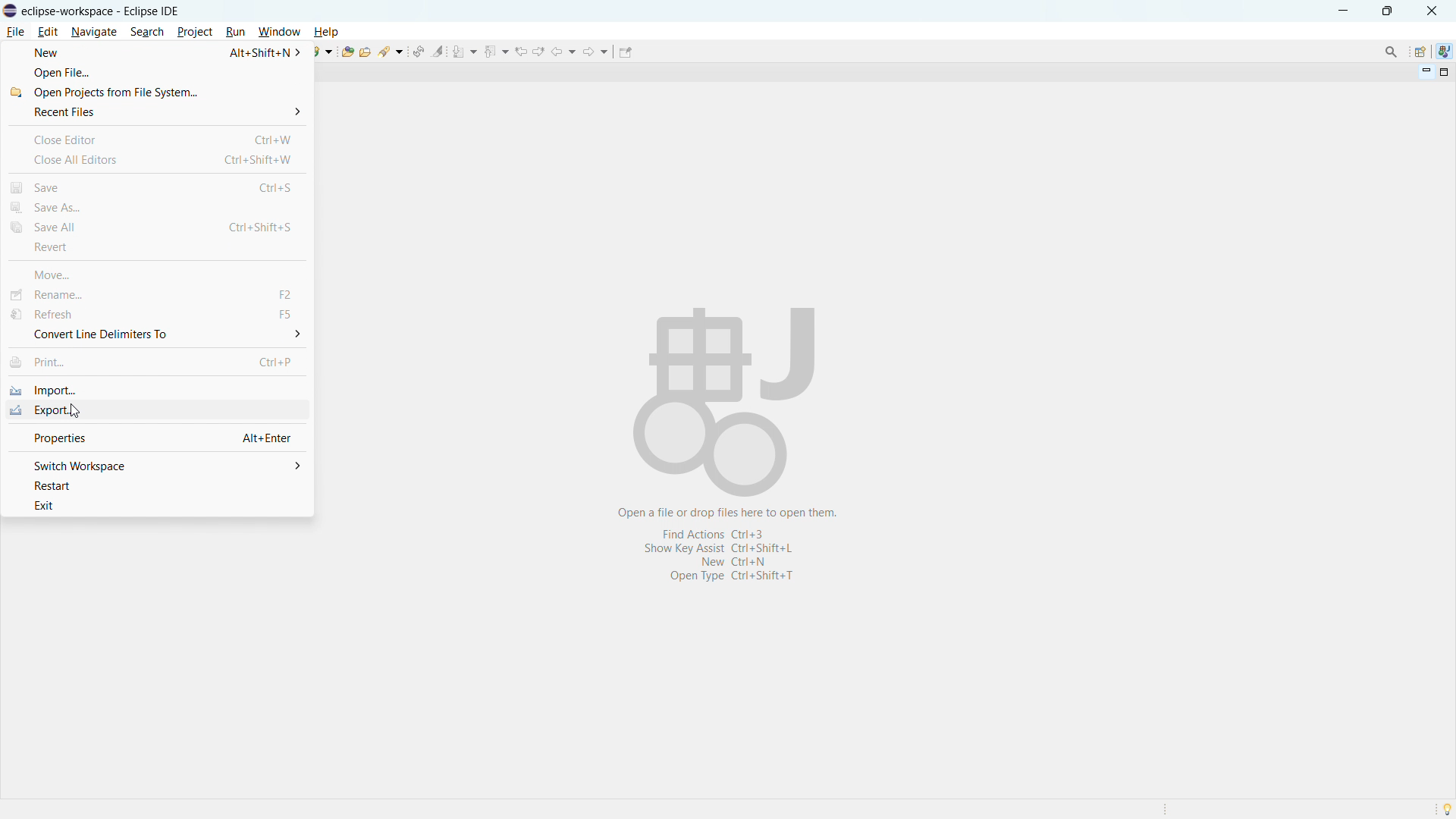 The height and width of the screenshot is (819, 1456). Describe the element at coordinates (1387, 11) in the screenshot. I see `maximize` at that location.